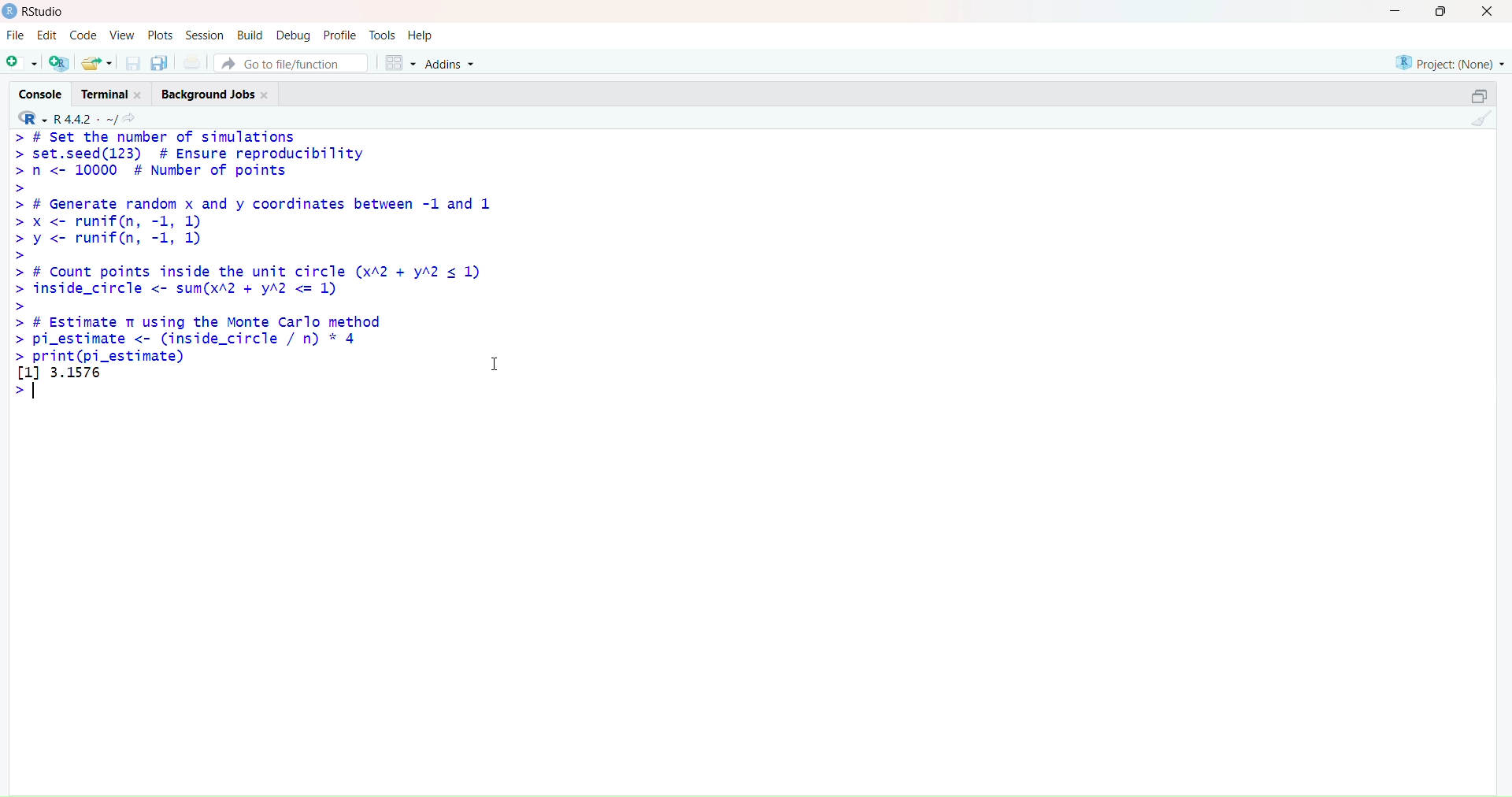 The height and width of the screenshot is (797, 1512). What do you see at coordinates (402, 63) in the screenshot?
I see `Workspace panes` at bounding box center [402, 63].